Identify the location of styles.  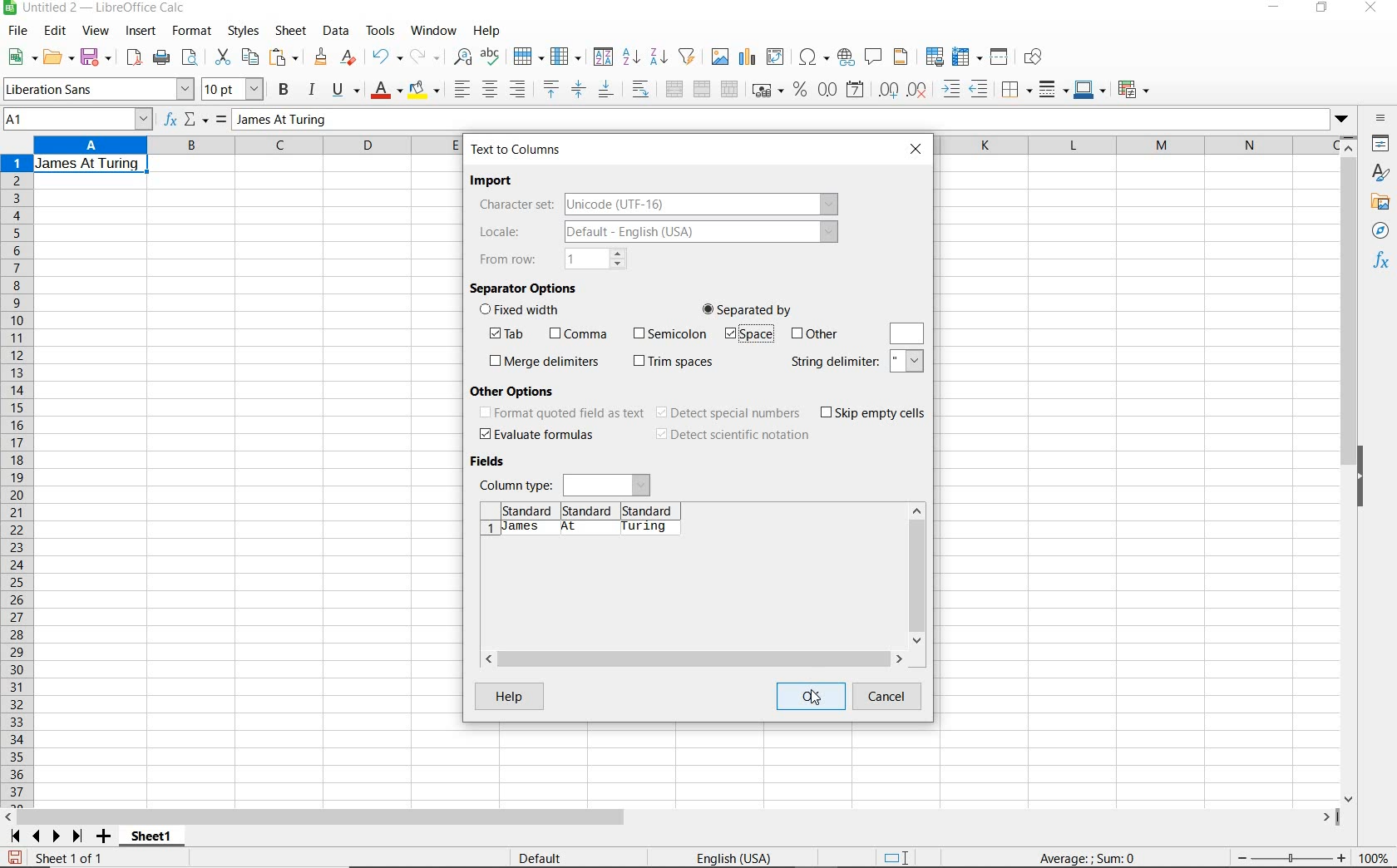
(1380, 172).